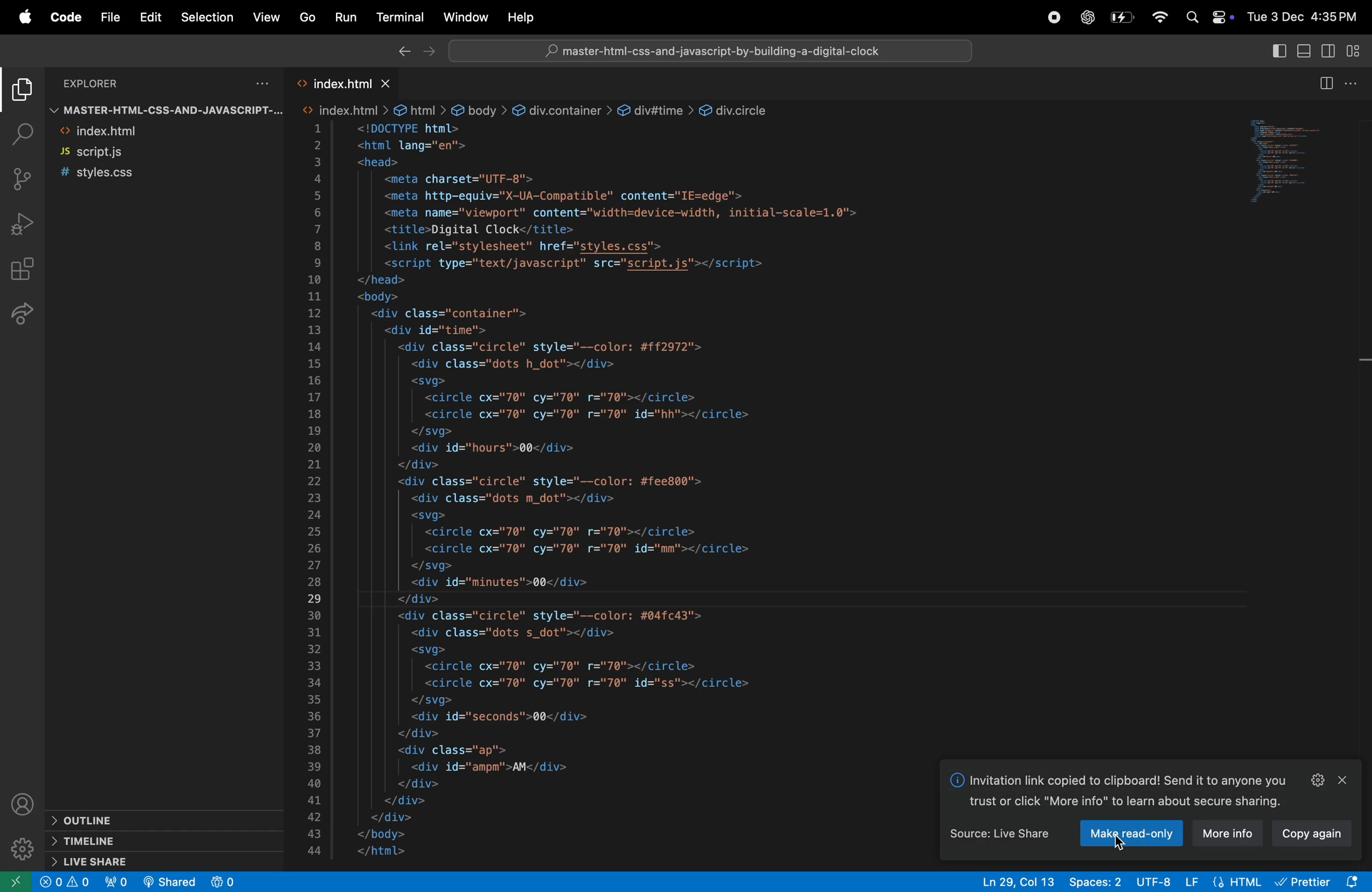 This screenshot has height=892, width=1372. What do you see at coordinates (24, 803) in the screenshot?
I see `profile` at bounding box center [24, 803].